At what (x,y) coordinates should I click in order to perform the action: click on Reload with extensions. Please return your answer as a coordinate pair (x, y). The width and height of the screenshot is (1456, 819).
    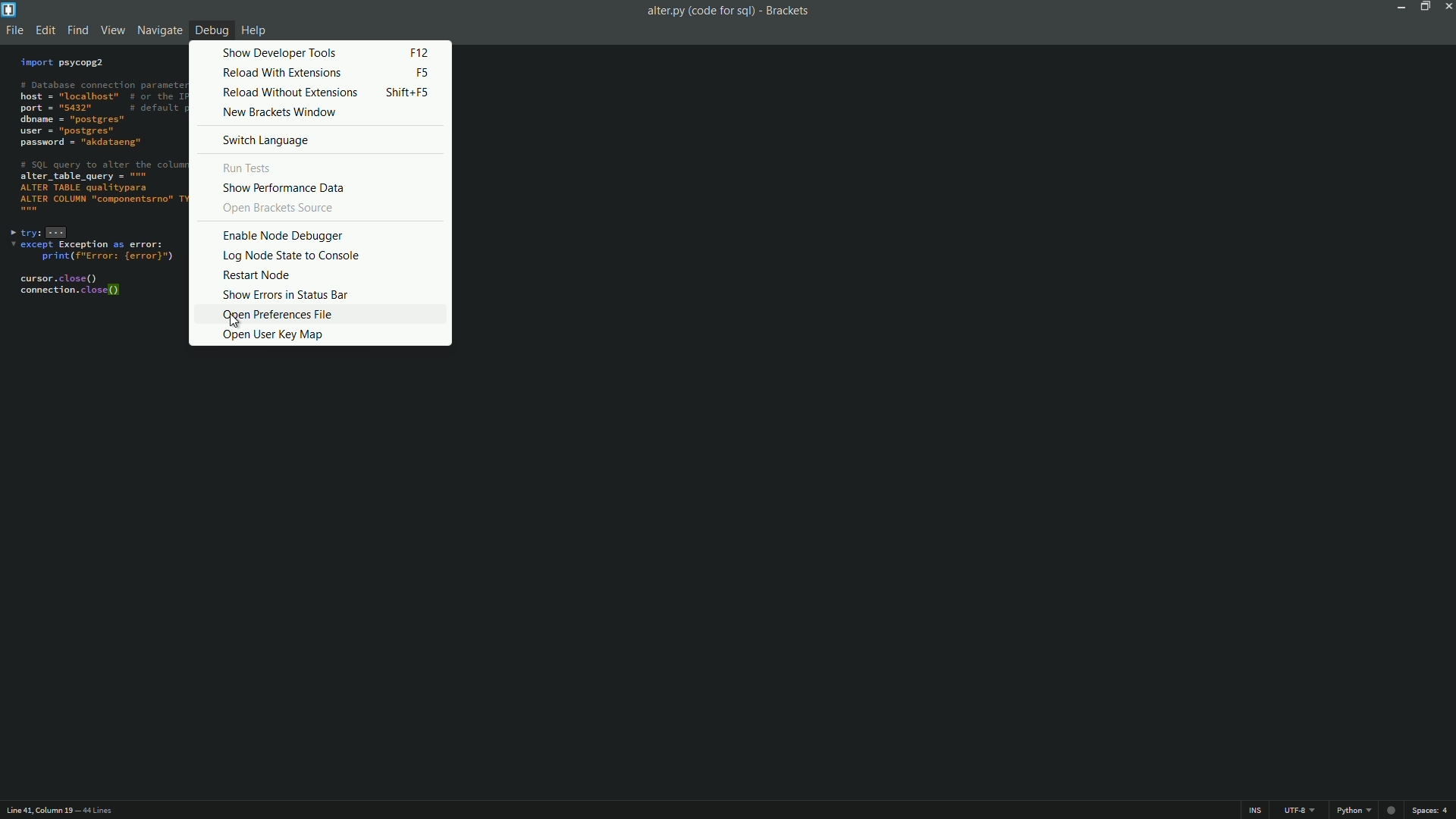
    Looking at the image, I should click on (313, 74).